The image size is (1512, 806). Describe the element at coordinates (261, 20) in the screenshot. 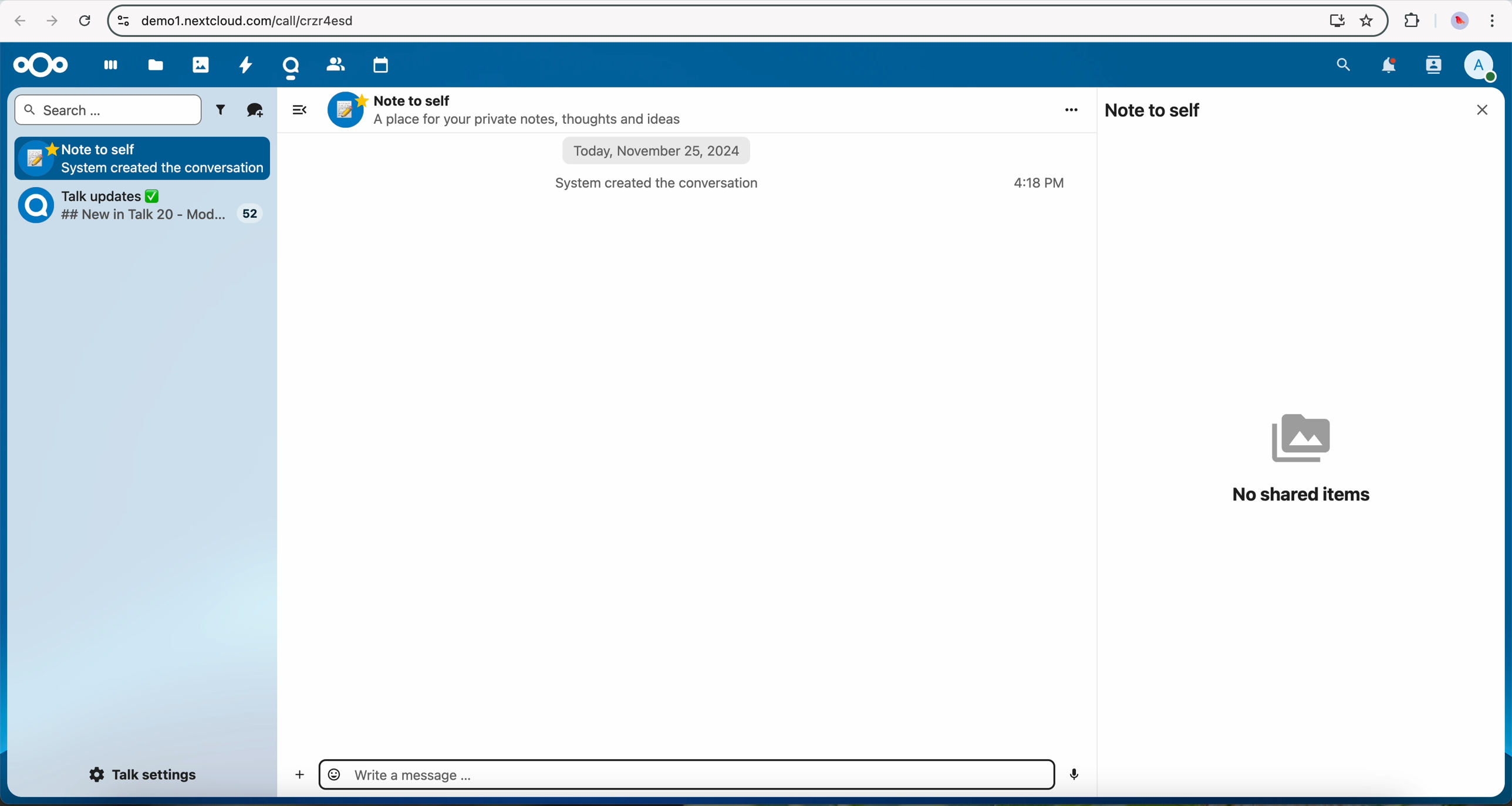

I see `URL` at that location.